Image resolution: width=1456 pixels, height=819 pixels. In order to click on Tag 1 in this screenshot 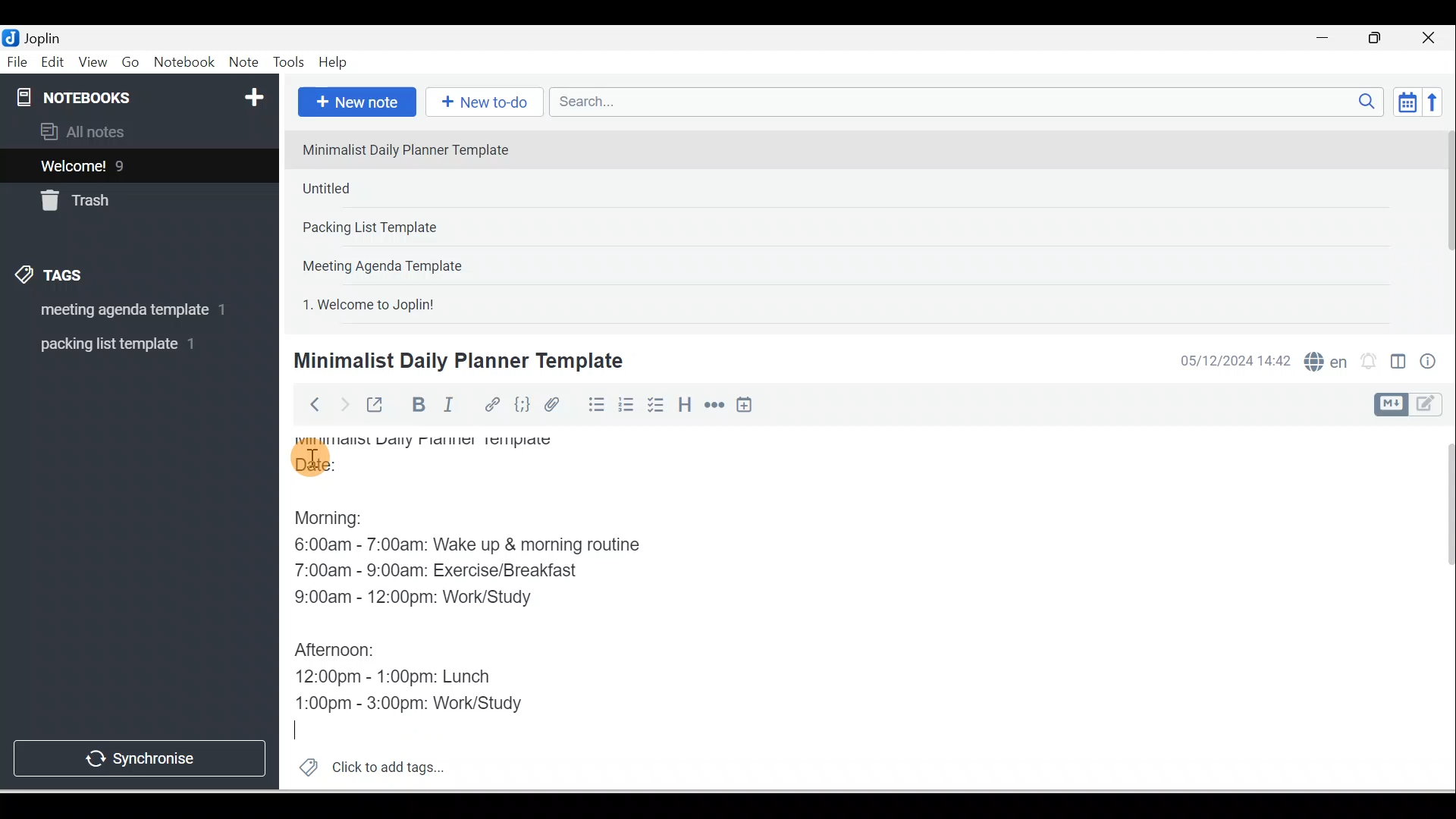, I will do `click(119, 311)`.